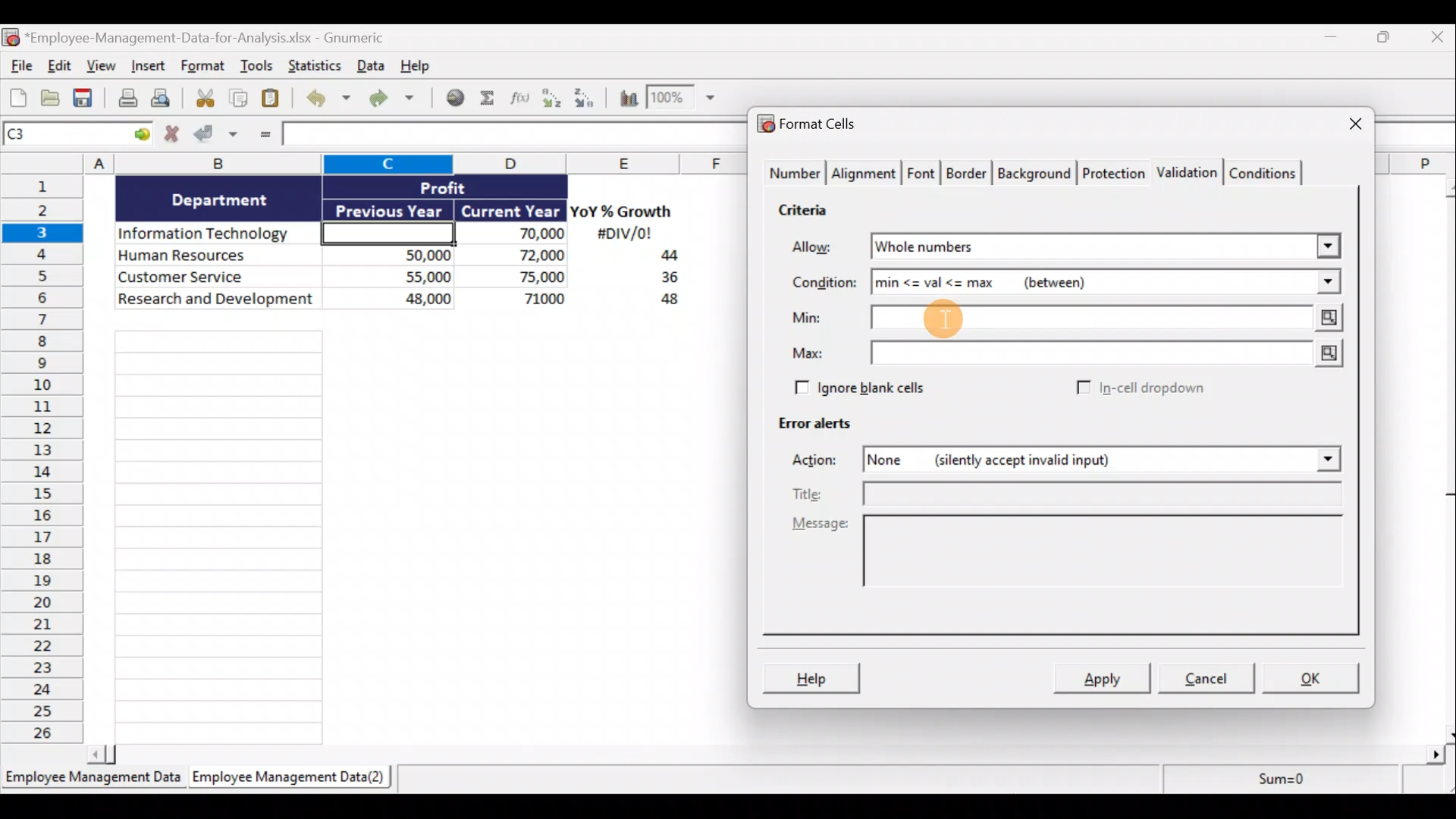  I want to click on Paste clipboard, so click(275, 99).